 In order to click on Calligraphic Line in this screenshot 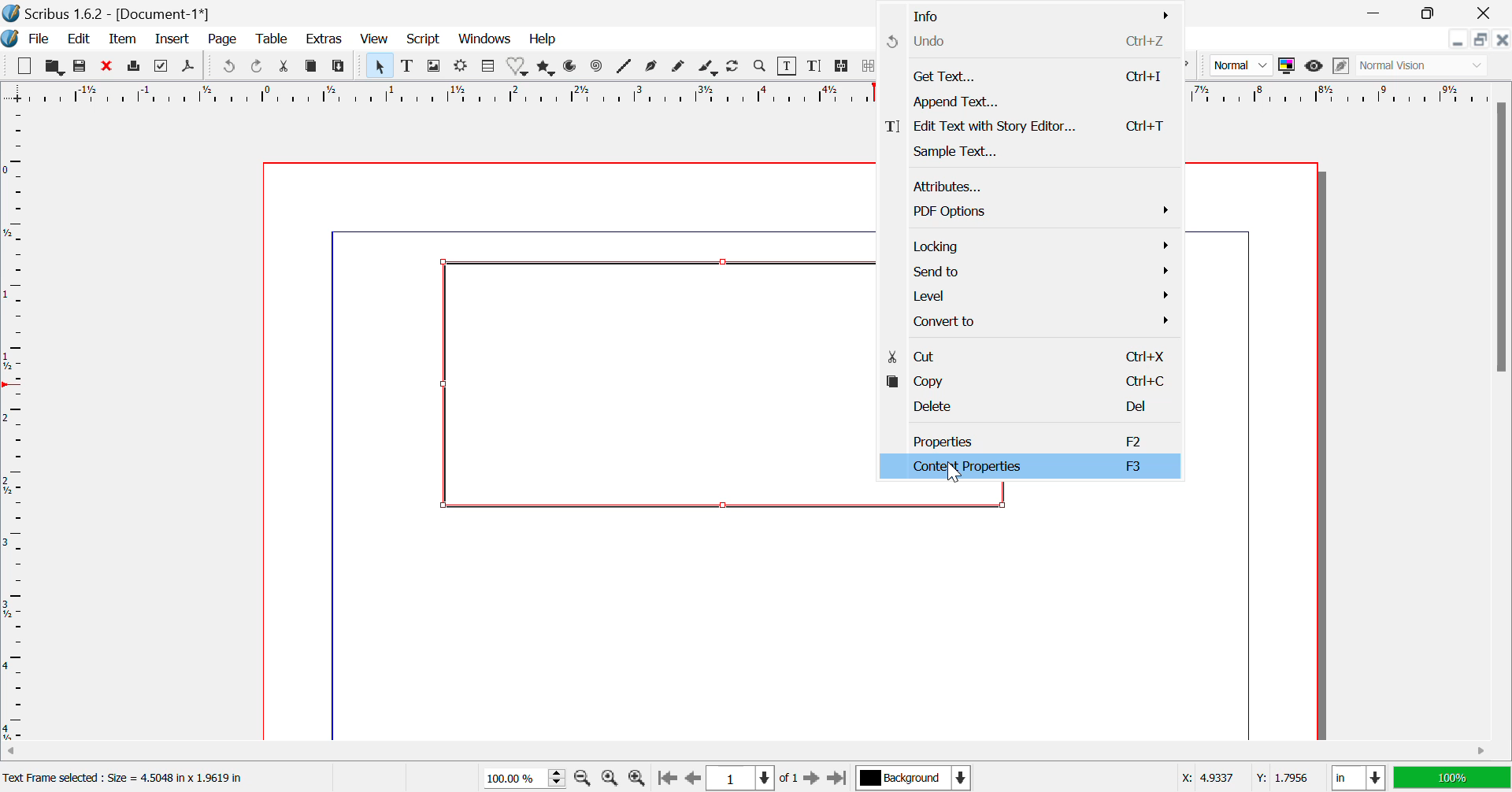, I will do `click(707, 68)`.